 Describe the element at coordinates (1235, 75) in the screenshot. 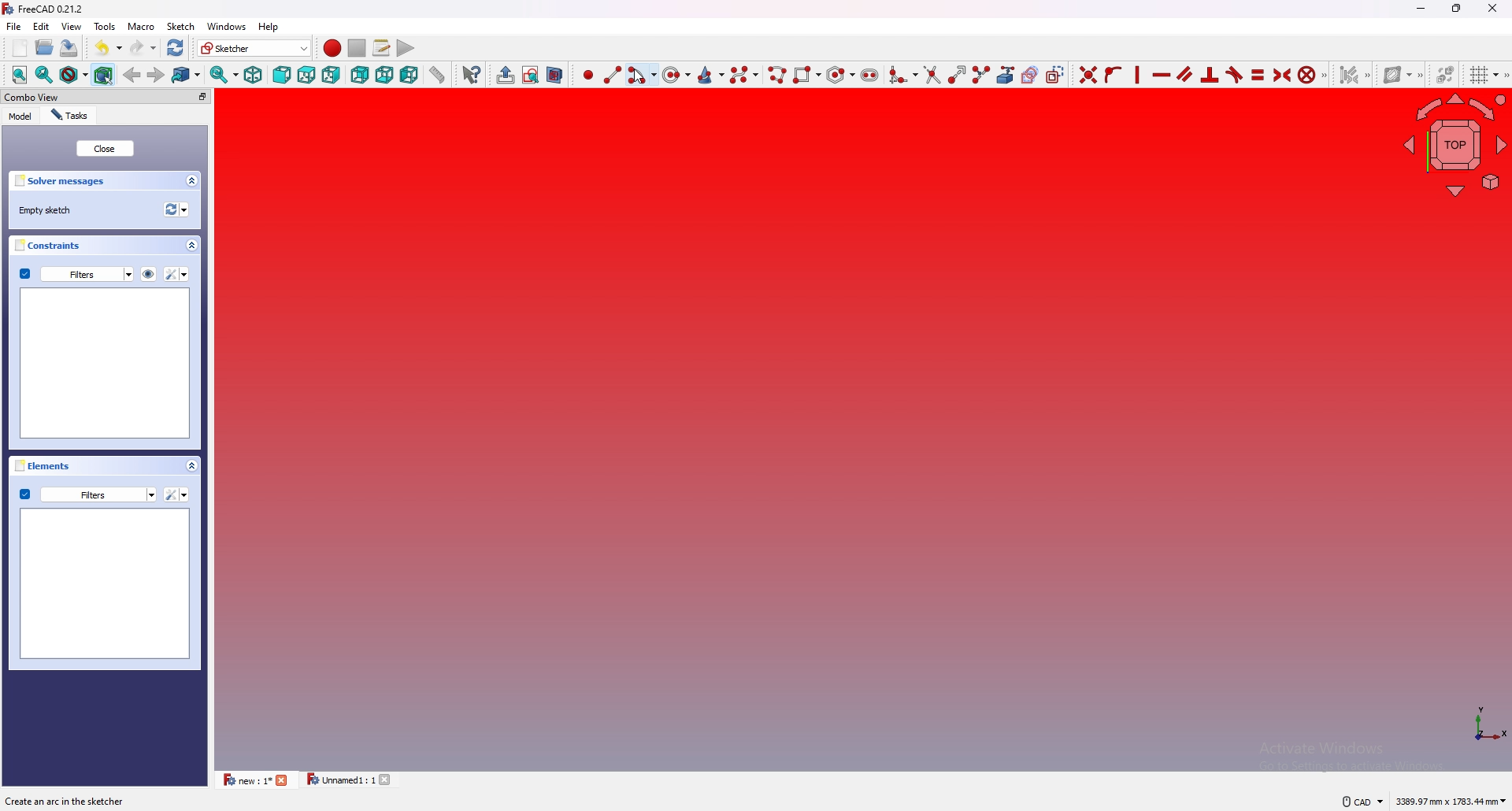

I see `constrain tangent` at that location.